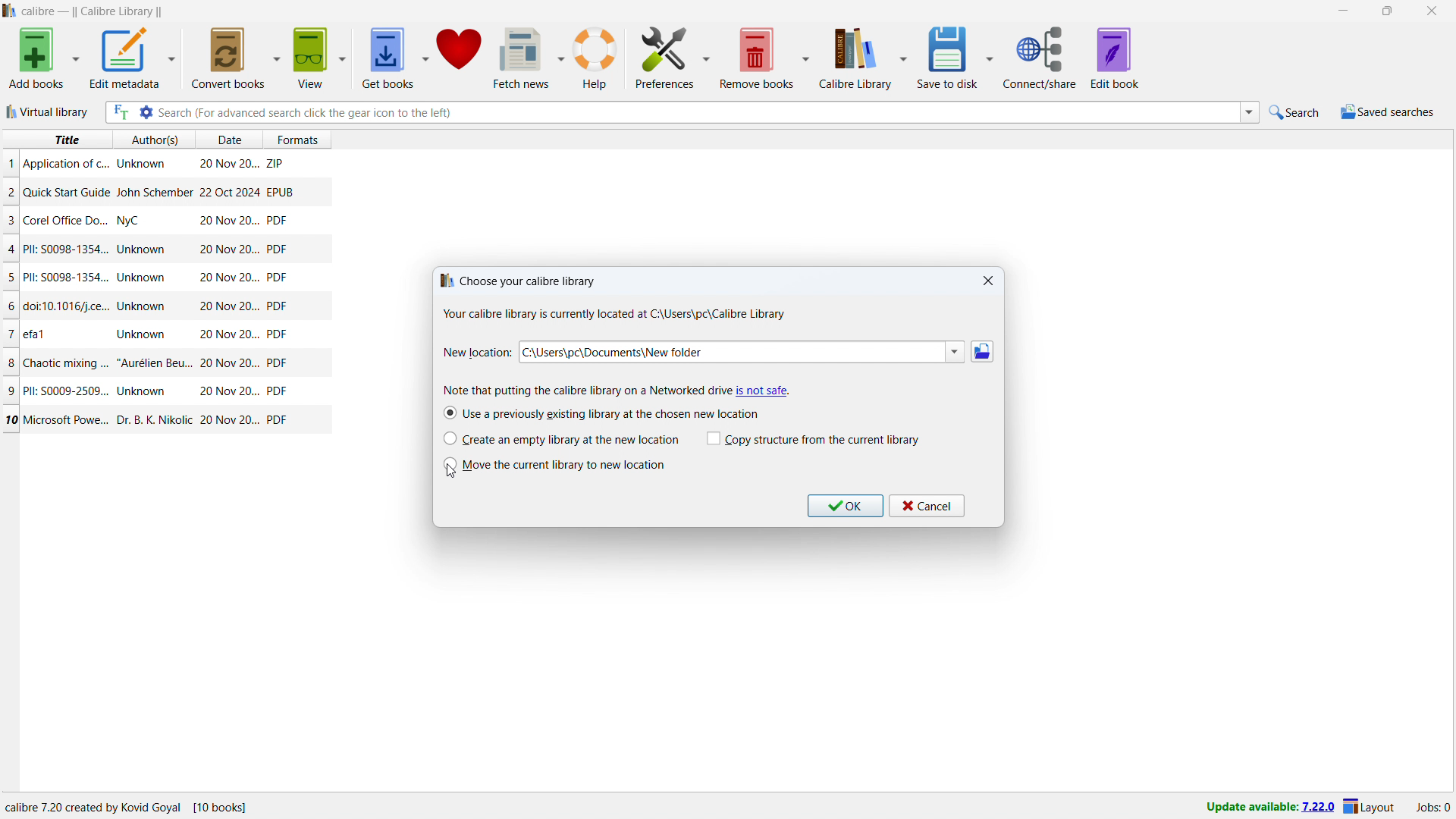 This screenshot has width=1456, height=819. I want to click on close, so click(989, 281).